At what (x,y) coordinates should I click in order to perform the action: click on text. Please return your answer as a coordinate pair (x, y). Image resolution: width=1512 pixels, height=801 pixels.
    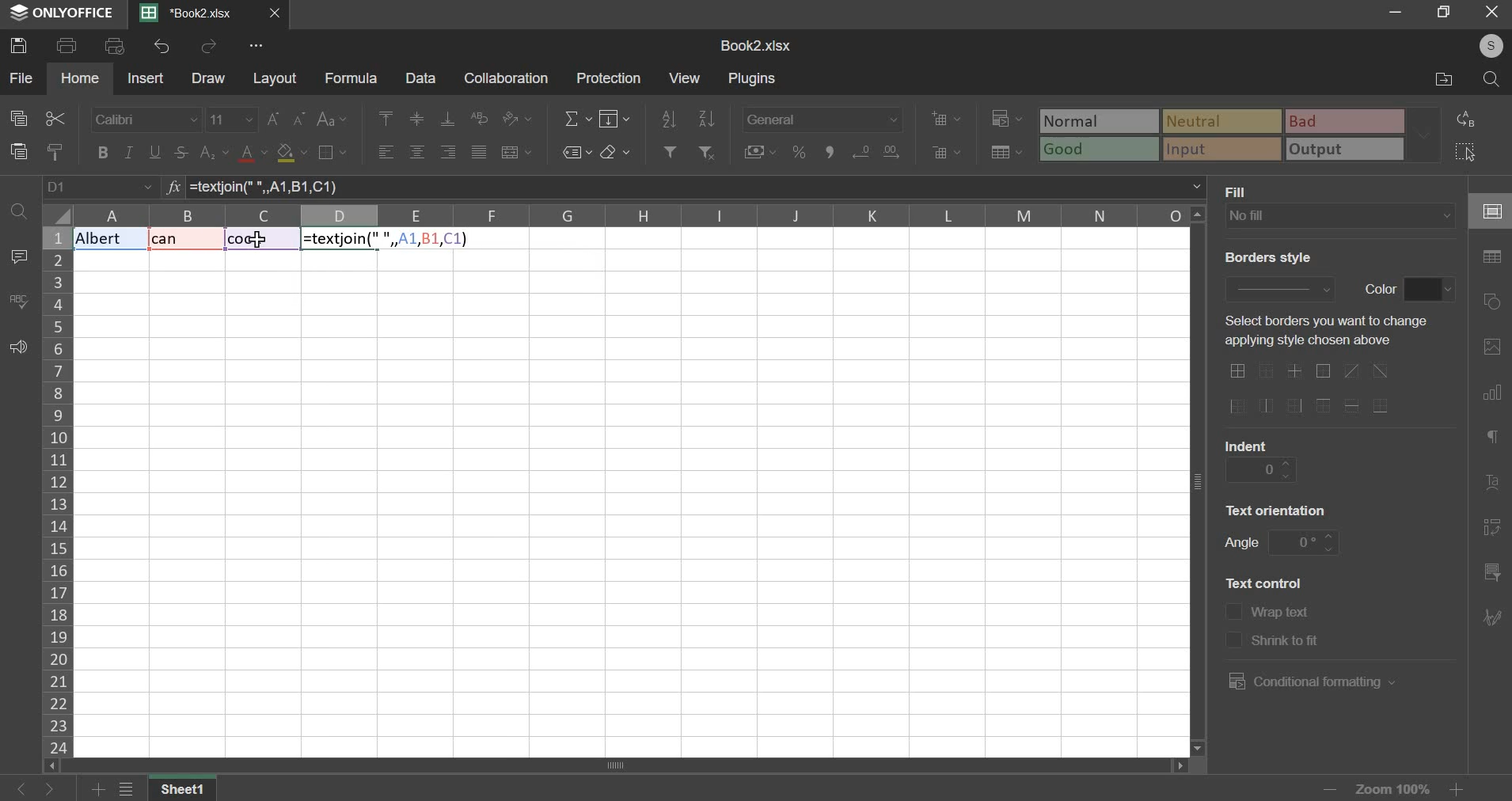
    Looking at the image, I should click on (1283, 614).